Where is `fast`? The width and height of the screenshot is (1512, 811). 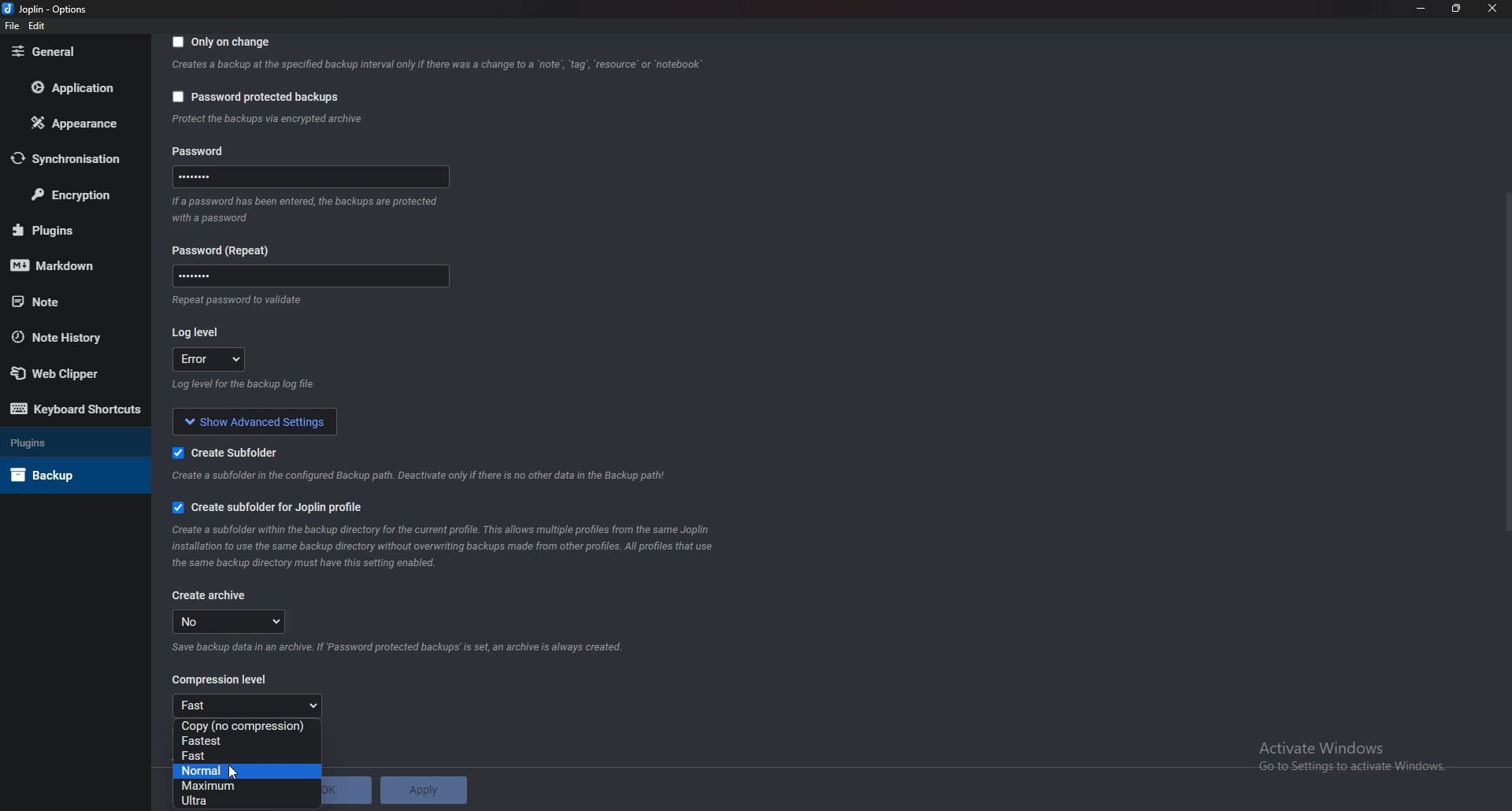 fast is located at coordinates (241, 755).